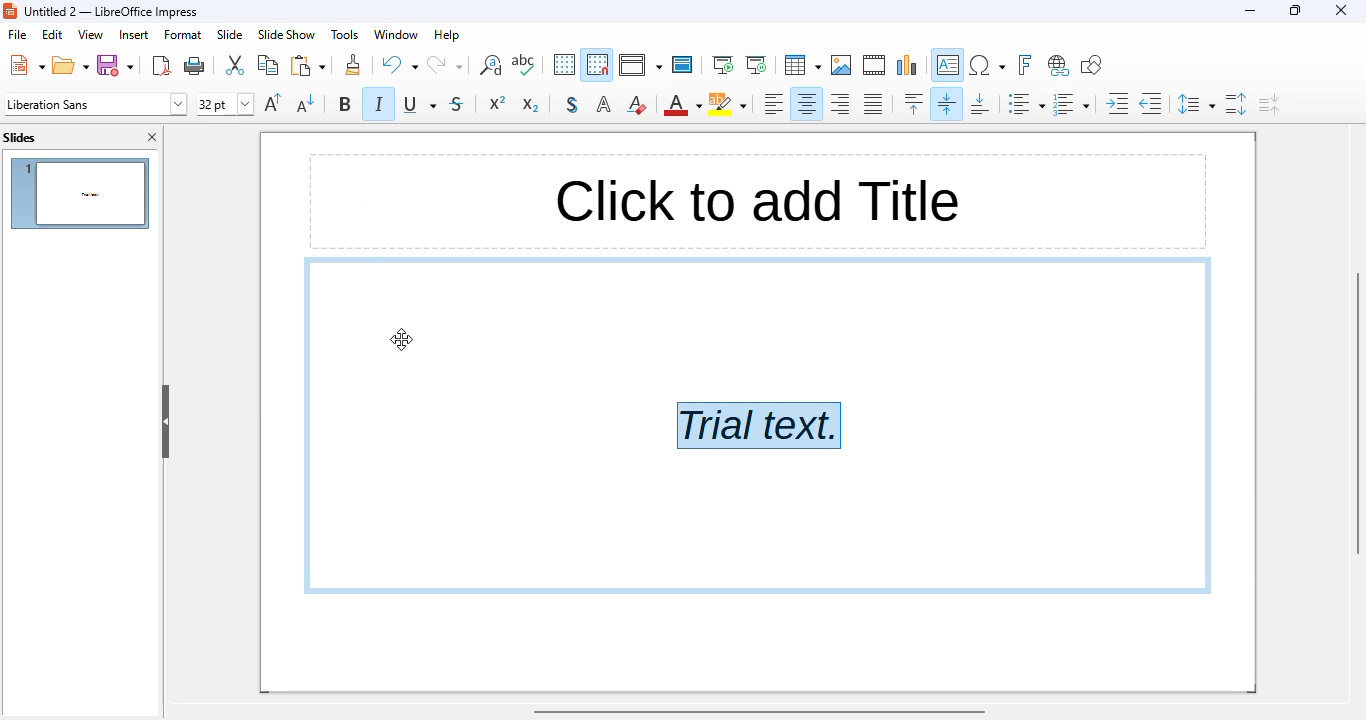 This screenshot has height=720, width=1366. What do you see at coordinates (421, 104) in the screenshot?
I see `underline` at bounding box center [421, 104].